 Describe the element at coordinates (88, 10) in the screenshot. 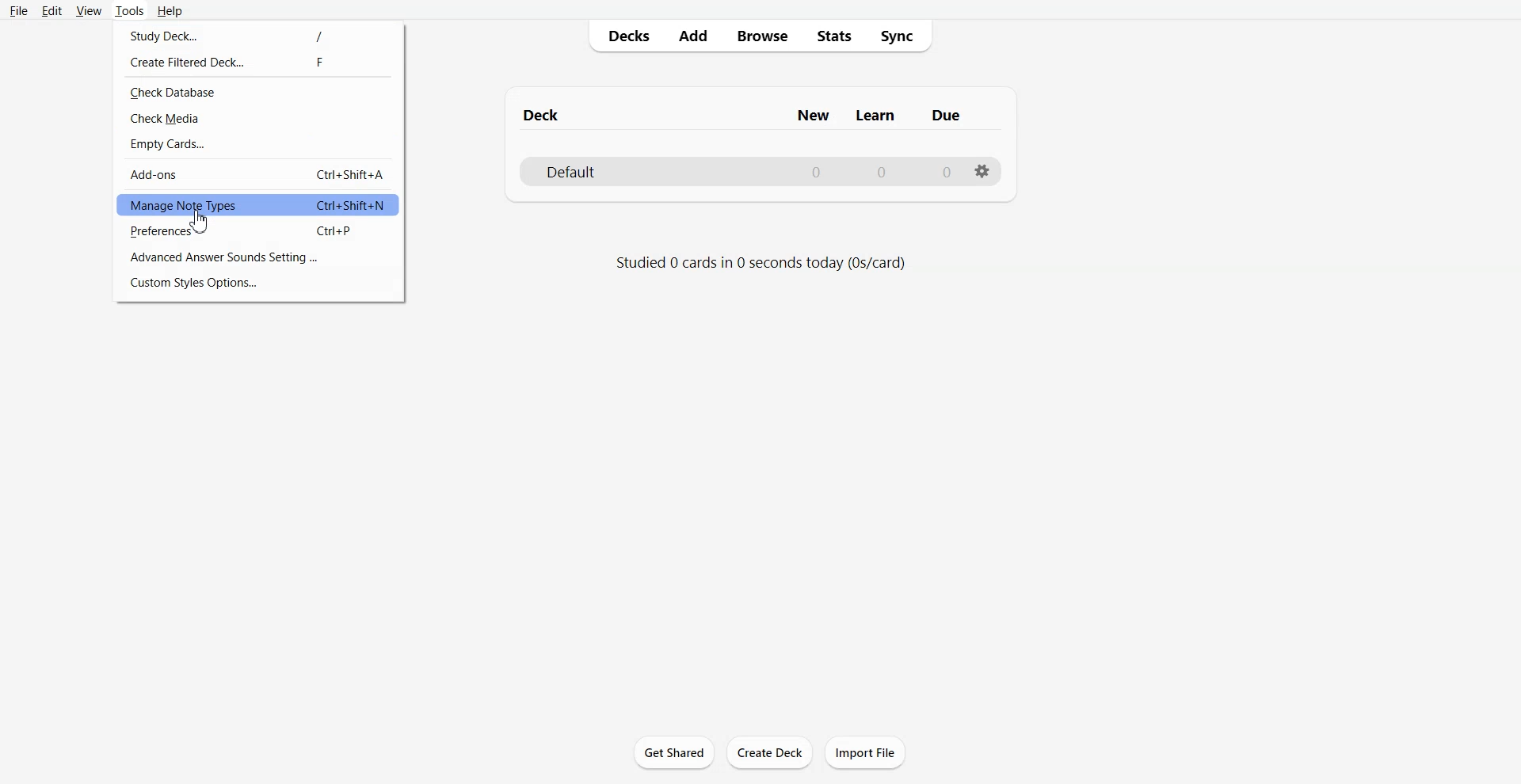

I see `View` at that location.